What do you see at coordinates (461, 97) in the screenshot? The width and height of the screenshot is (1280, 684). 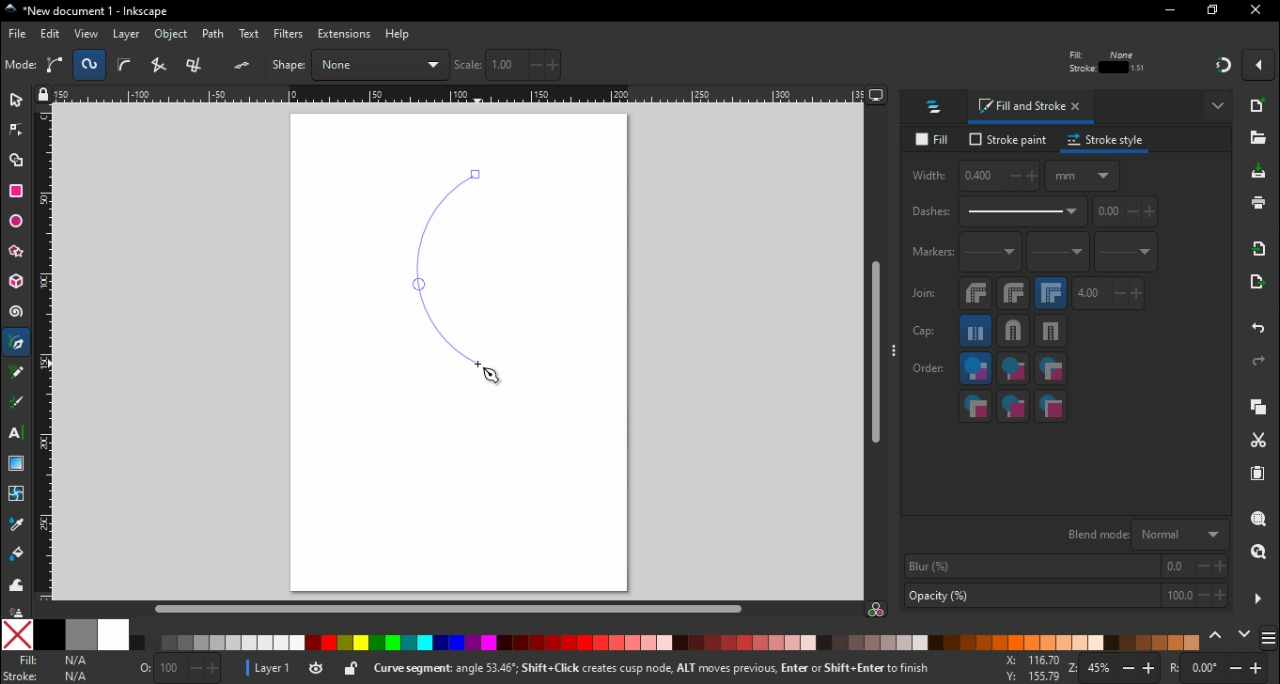 I see `horizontal ruler` at bounding box center [461, 97].